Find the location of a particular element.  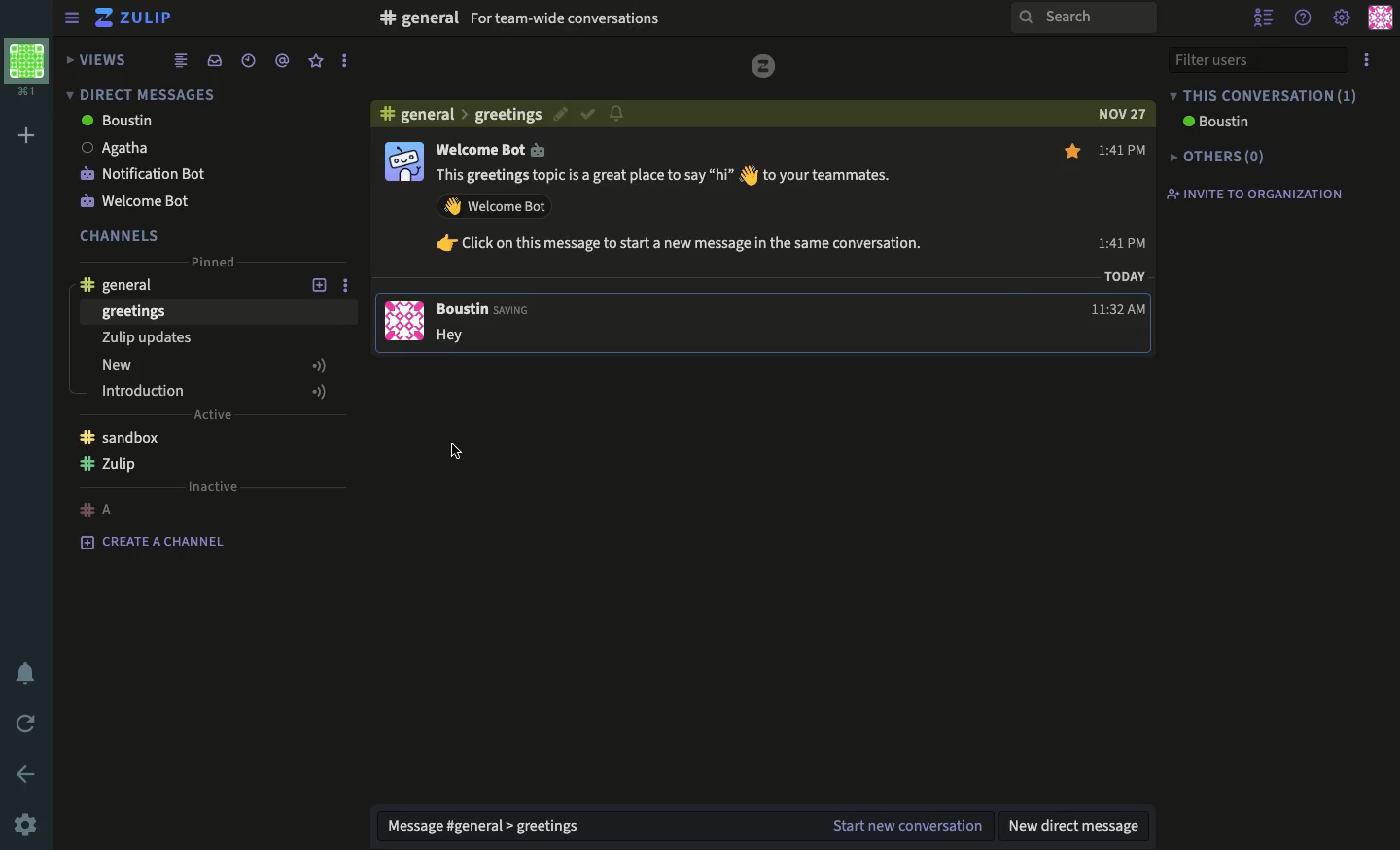

channels is located at coordinates (122, 234).